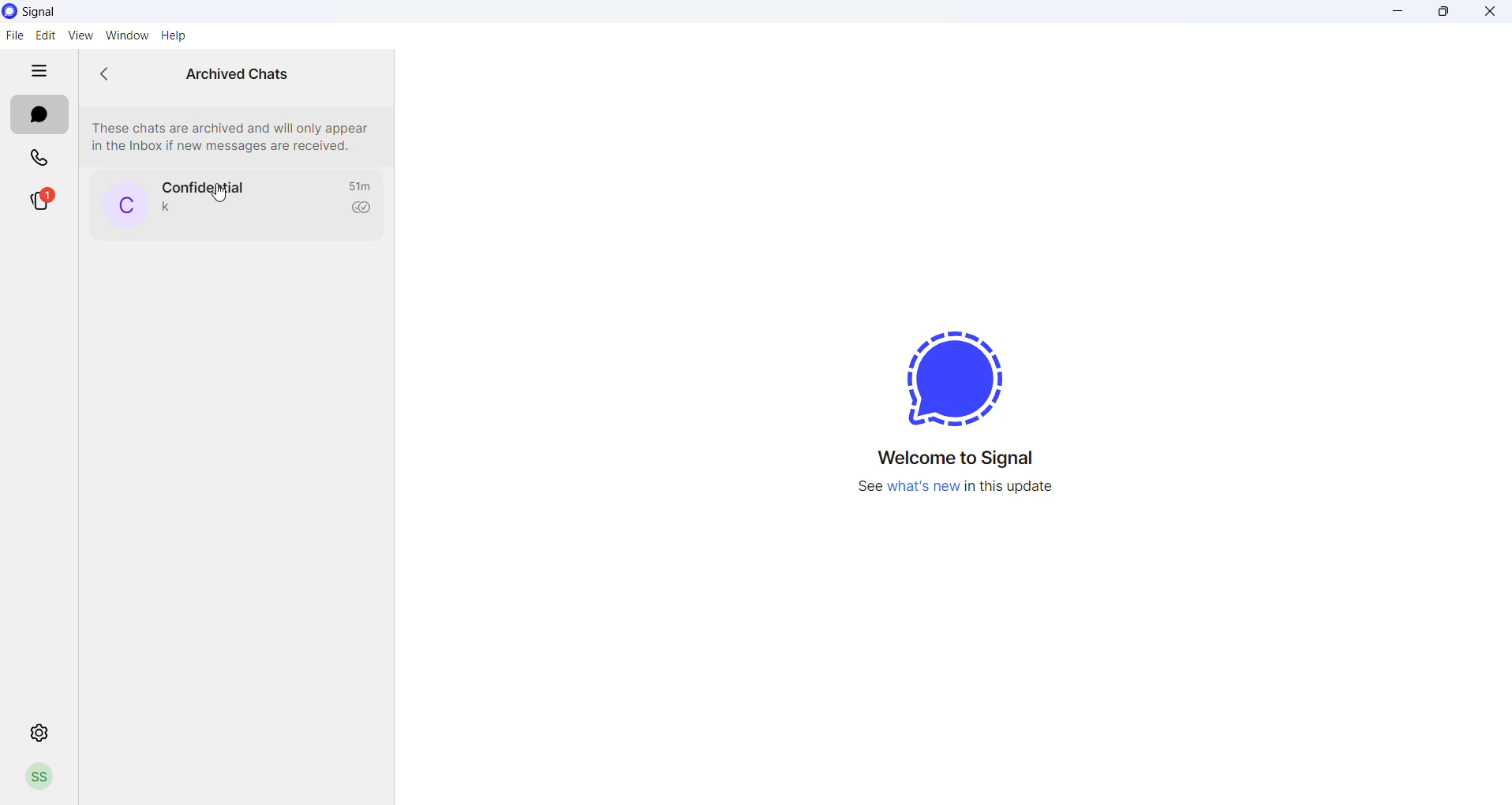  I want to click on profile, so click(43, 775).